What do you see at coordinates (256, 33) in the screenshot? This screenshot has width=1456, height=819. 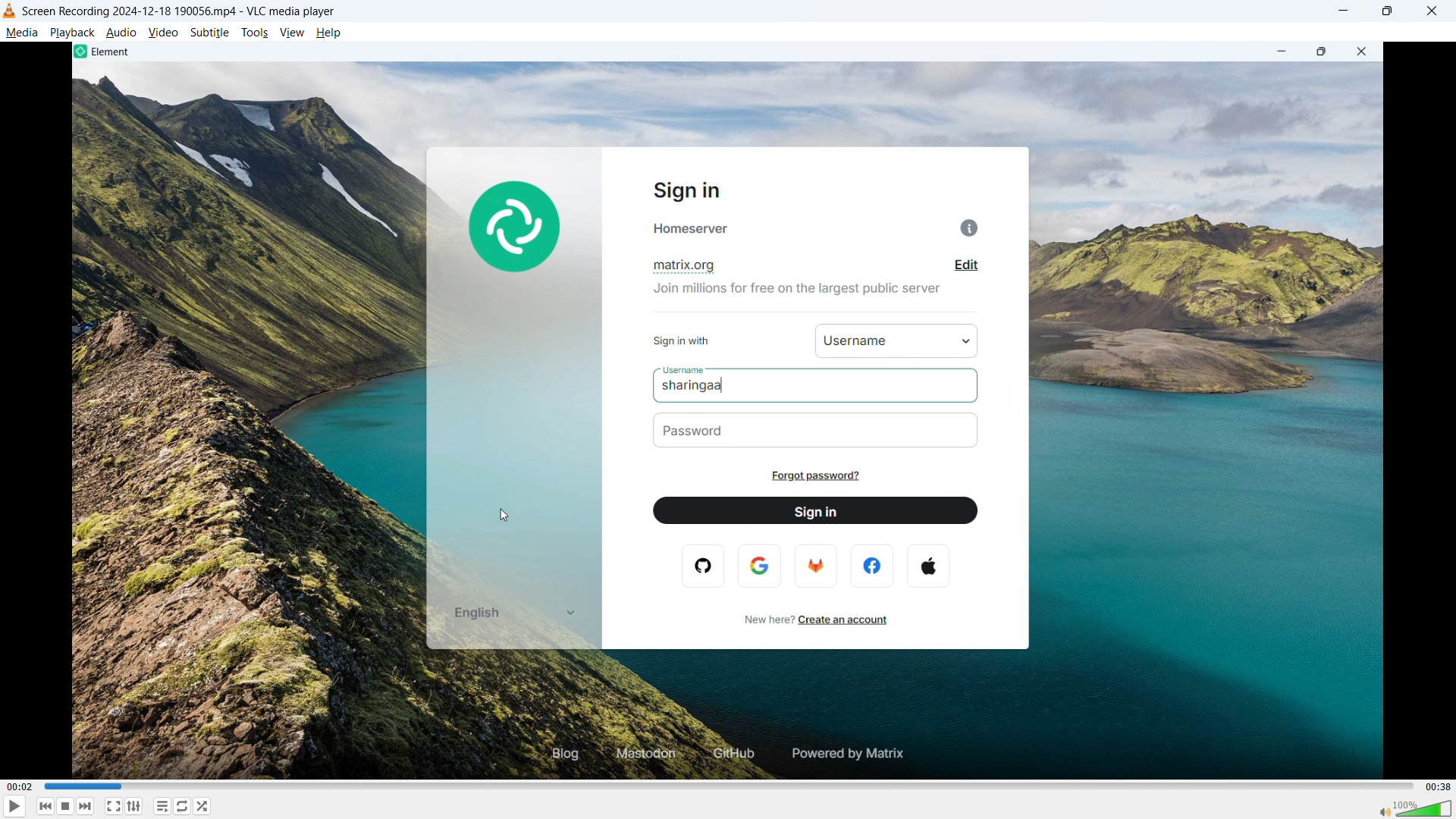 I see `Tools ` at bounding box center [256, 33].